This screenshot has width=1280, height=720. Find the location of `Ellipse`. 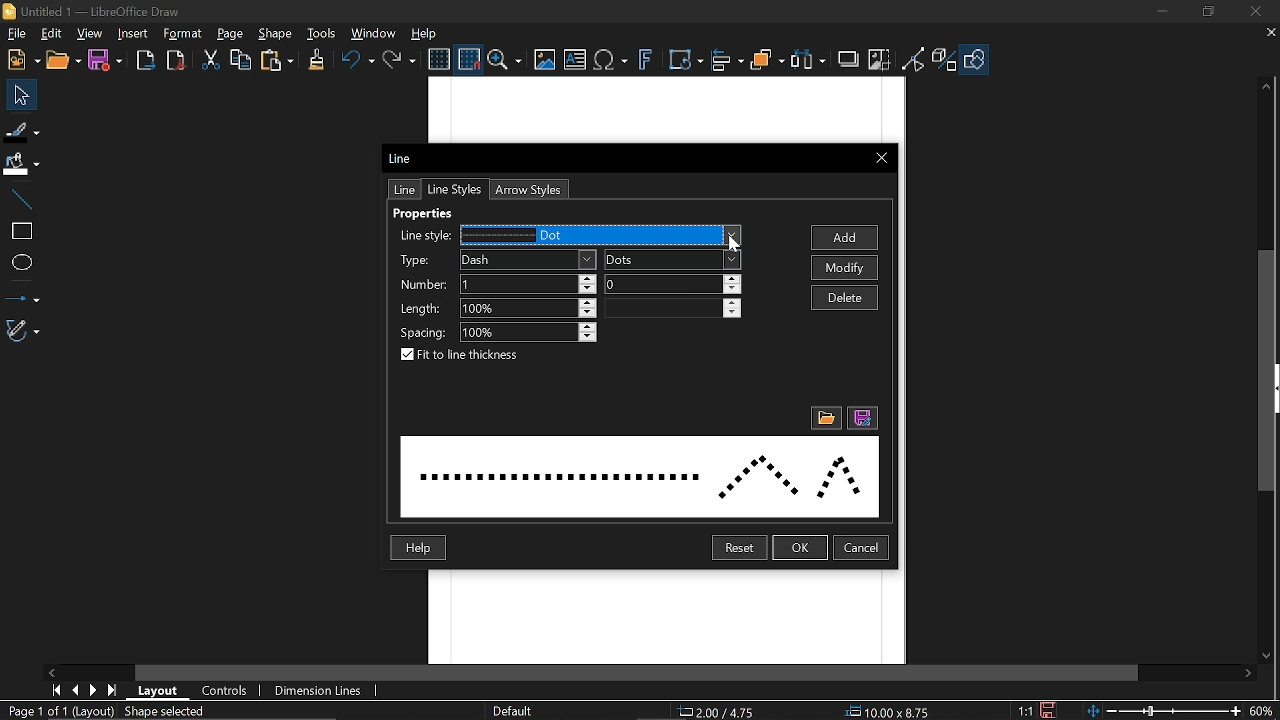

Ellipse is located at coordinates (20, 261).